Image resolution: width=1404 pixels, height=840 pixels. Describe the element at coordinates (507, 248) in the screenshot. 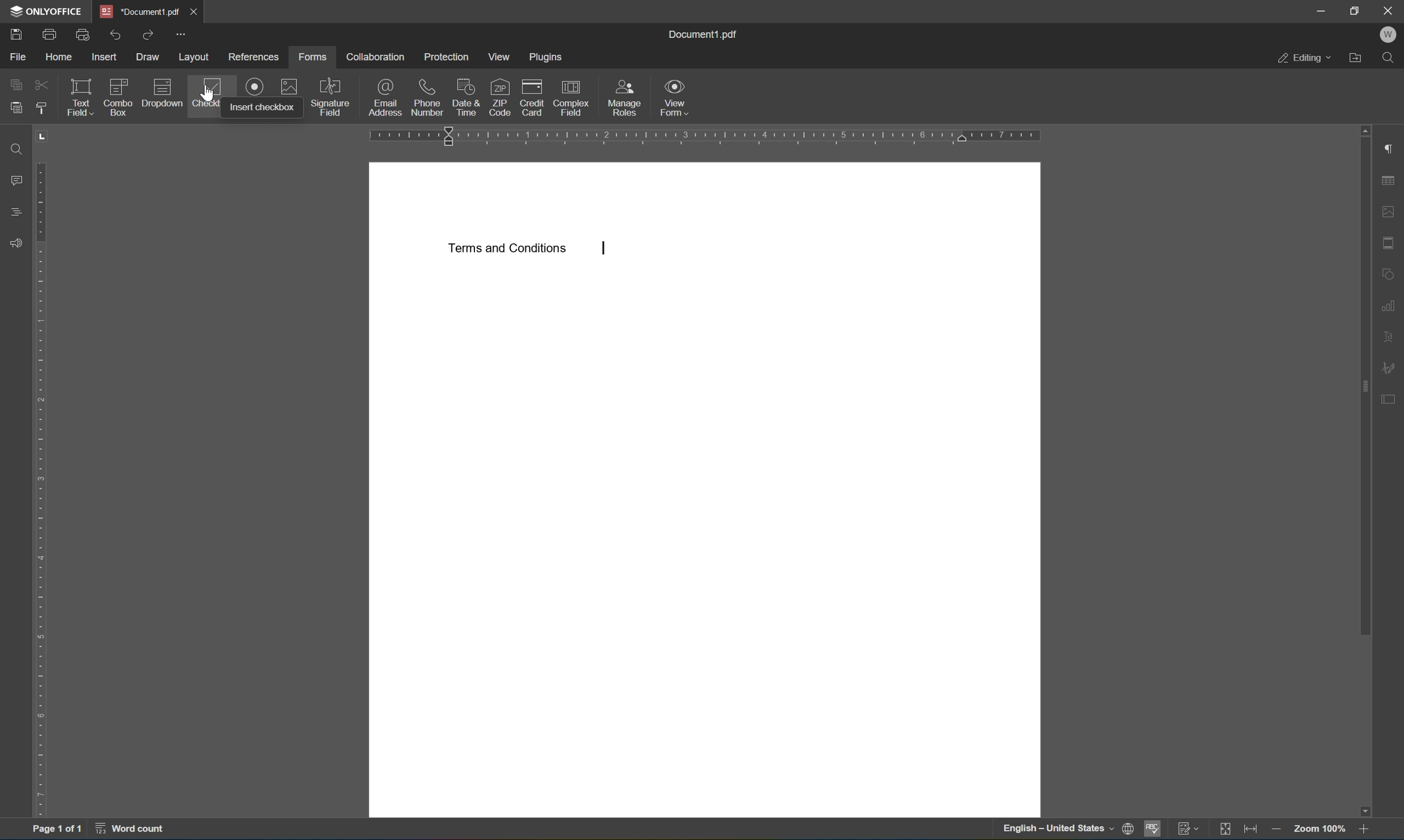

I see `Terms and conditions` at that location.